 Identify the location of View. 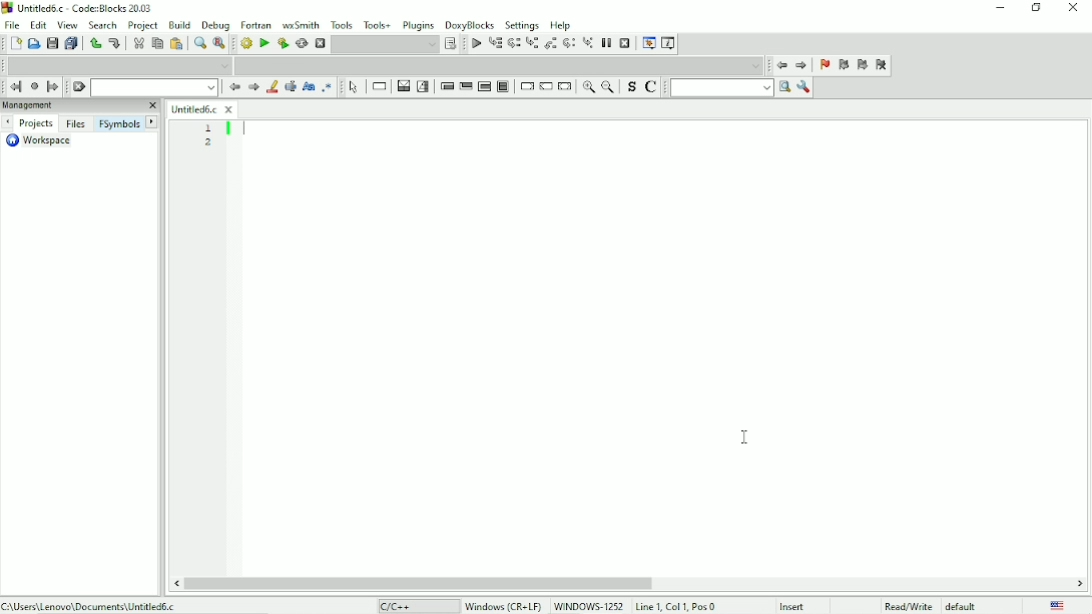
(67, 24).